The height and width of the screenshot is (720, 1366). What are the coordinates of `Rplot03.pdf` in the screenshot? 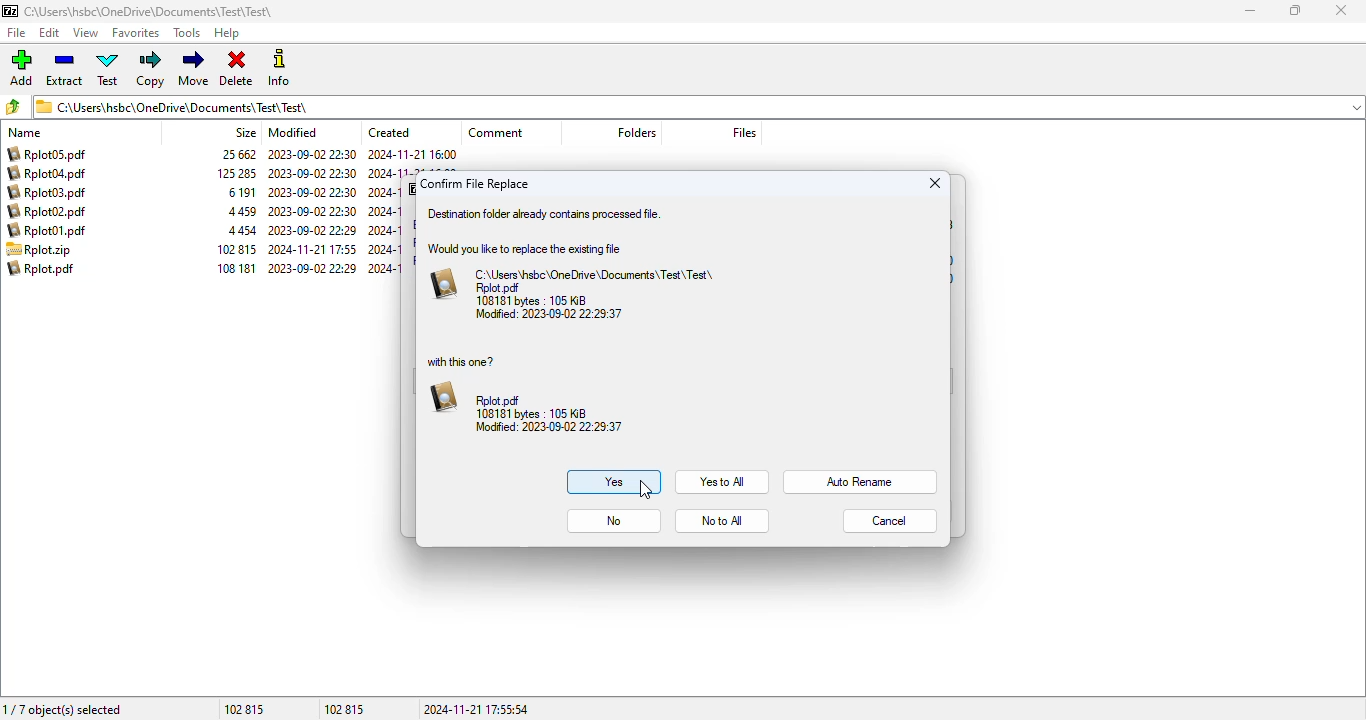 It's located at (50, 192).